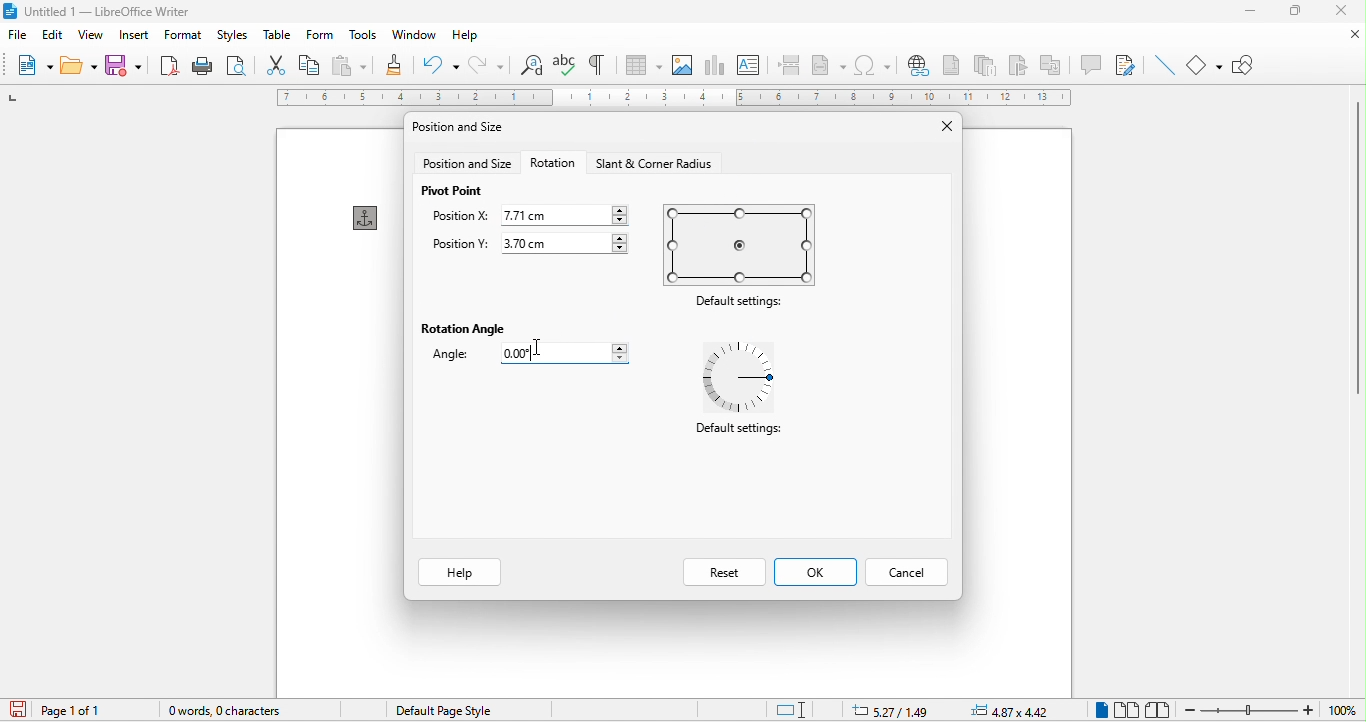 The height and width of the screenshot is (722, 1366). Describe the element at coordinates (887, 710) in the screenshot. I see `5.27/1.49` at that location.